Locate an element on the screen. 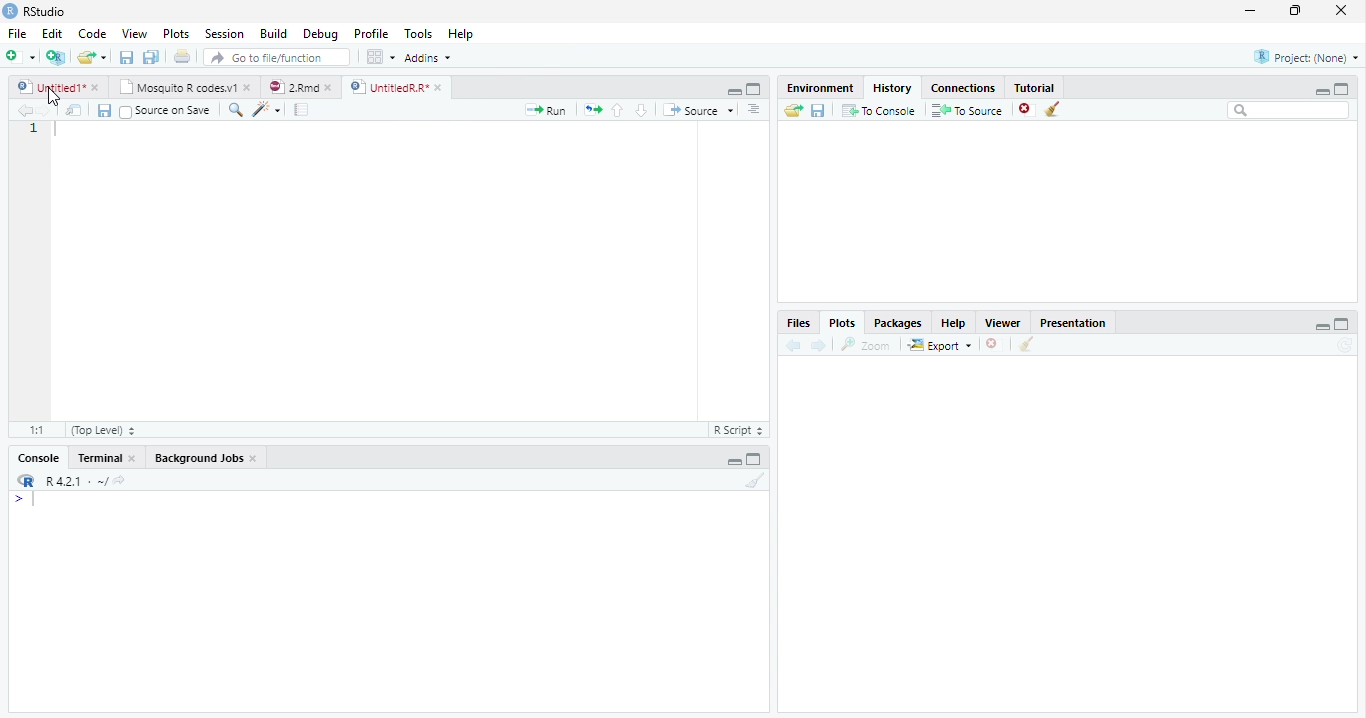  Print is located at coordinates (182, 57).